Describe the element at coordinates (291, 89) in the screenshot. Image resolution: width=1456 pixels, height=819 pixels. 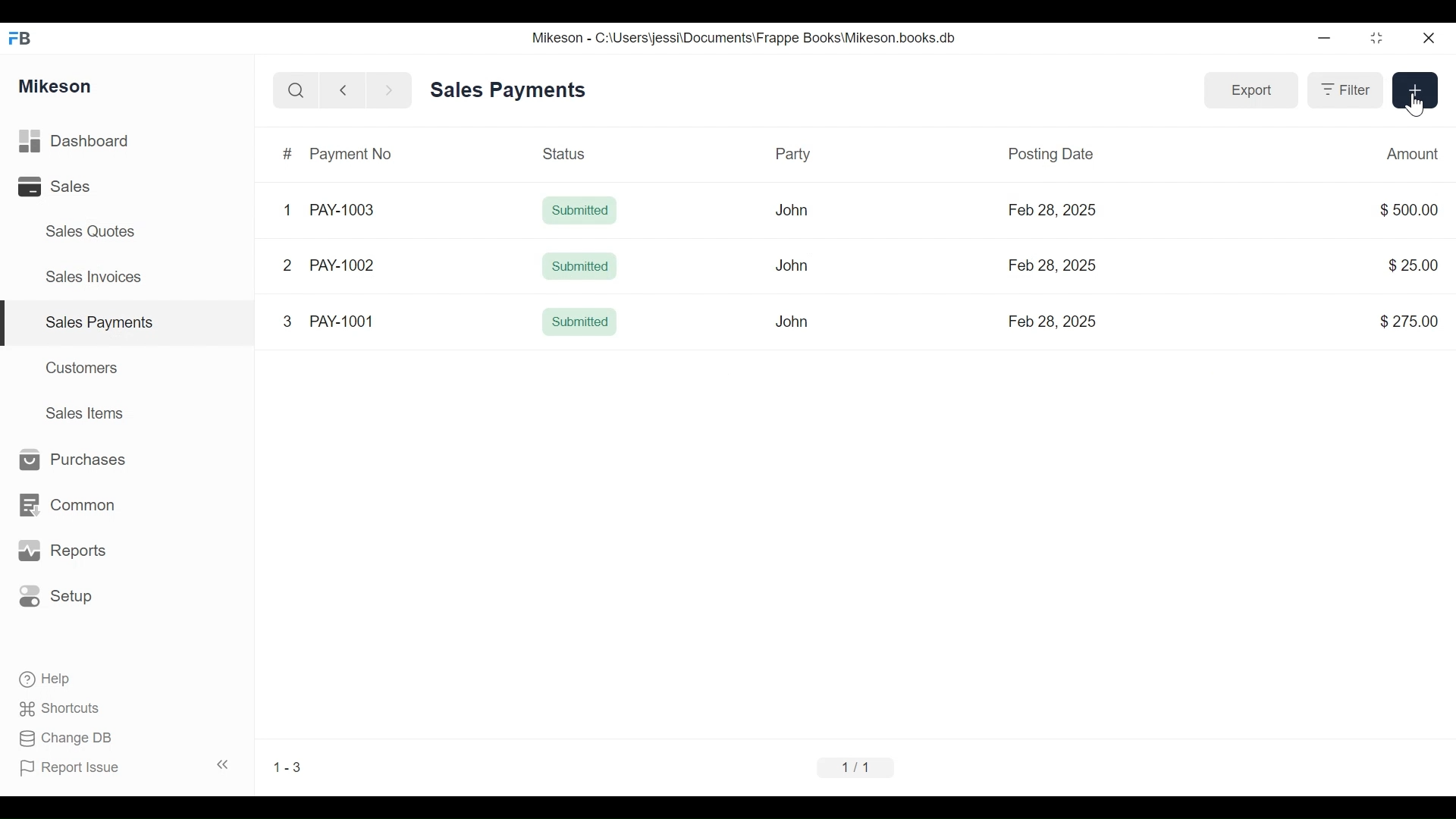
I see `Search` at that location.